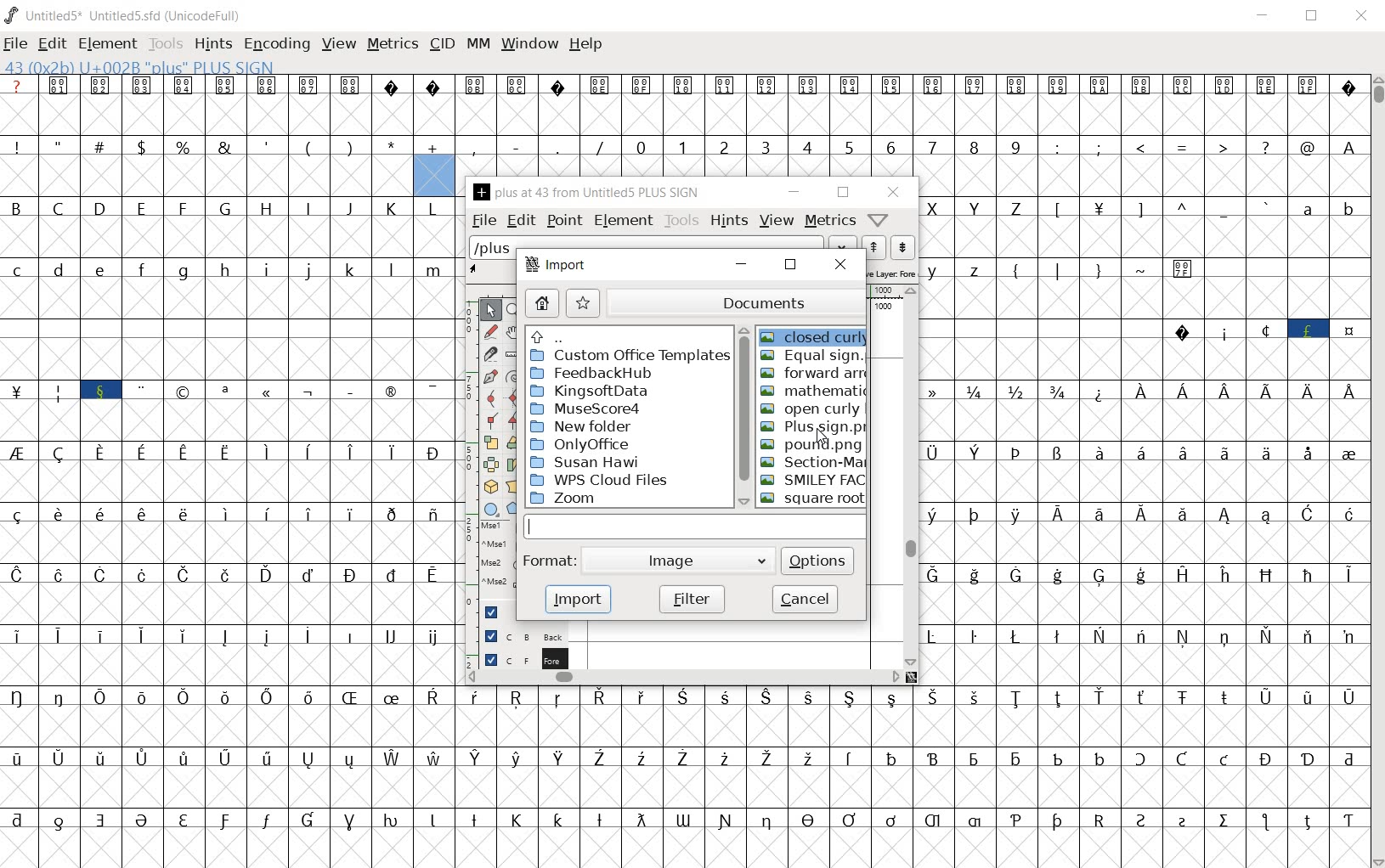  I want to click on window, so click(529, 45).